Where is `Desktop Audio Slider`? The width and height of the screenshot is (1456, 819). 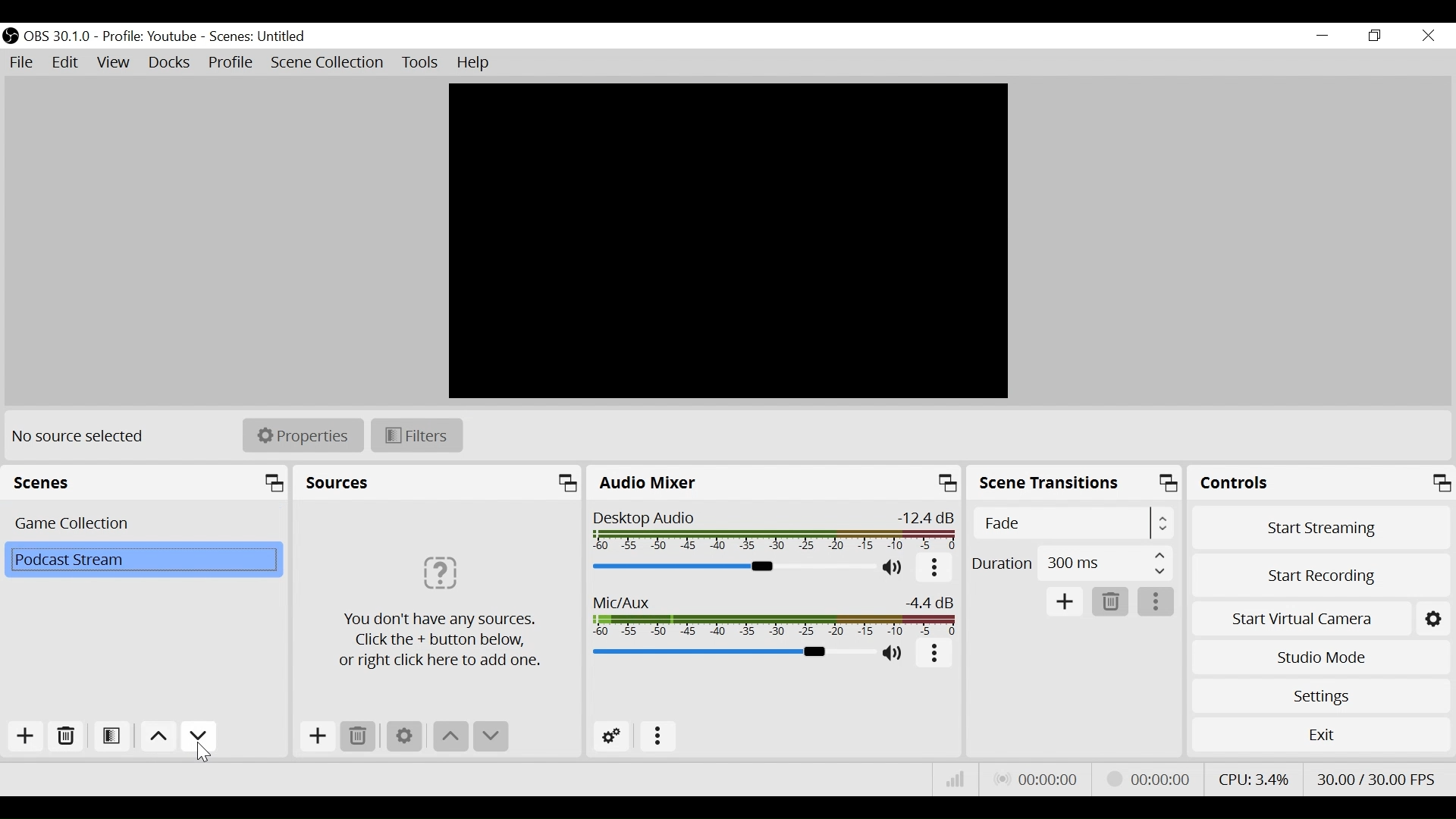 Desktop Audio Slider is located at coordinates (735, 567).